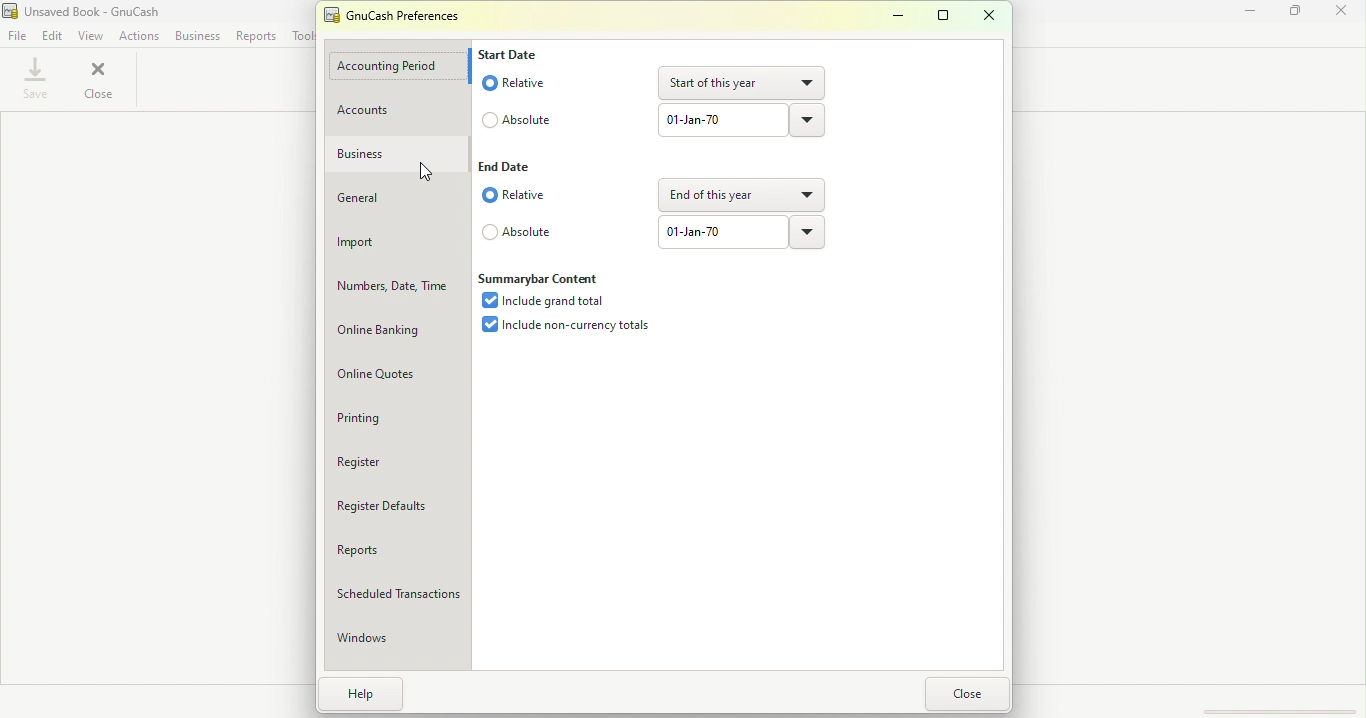 The height and width of the screenshot is (718, 1366). I want to click on Maximize, so click(939, 20).